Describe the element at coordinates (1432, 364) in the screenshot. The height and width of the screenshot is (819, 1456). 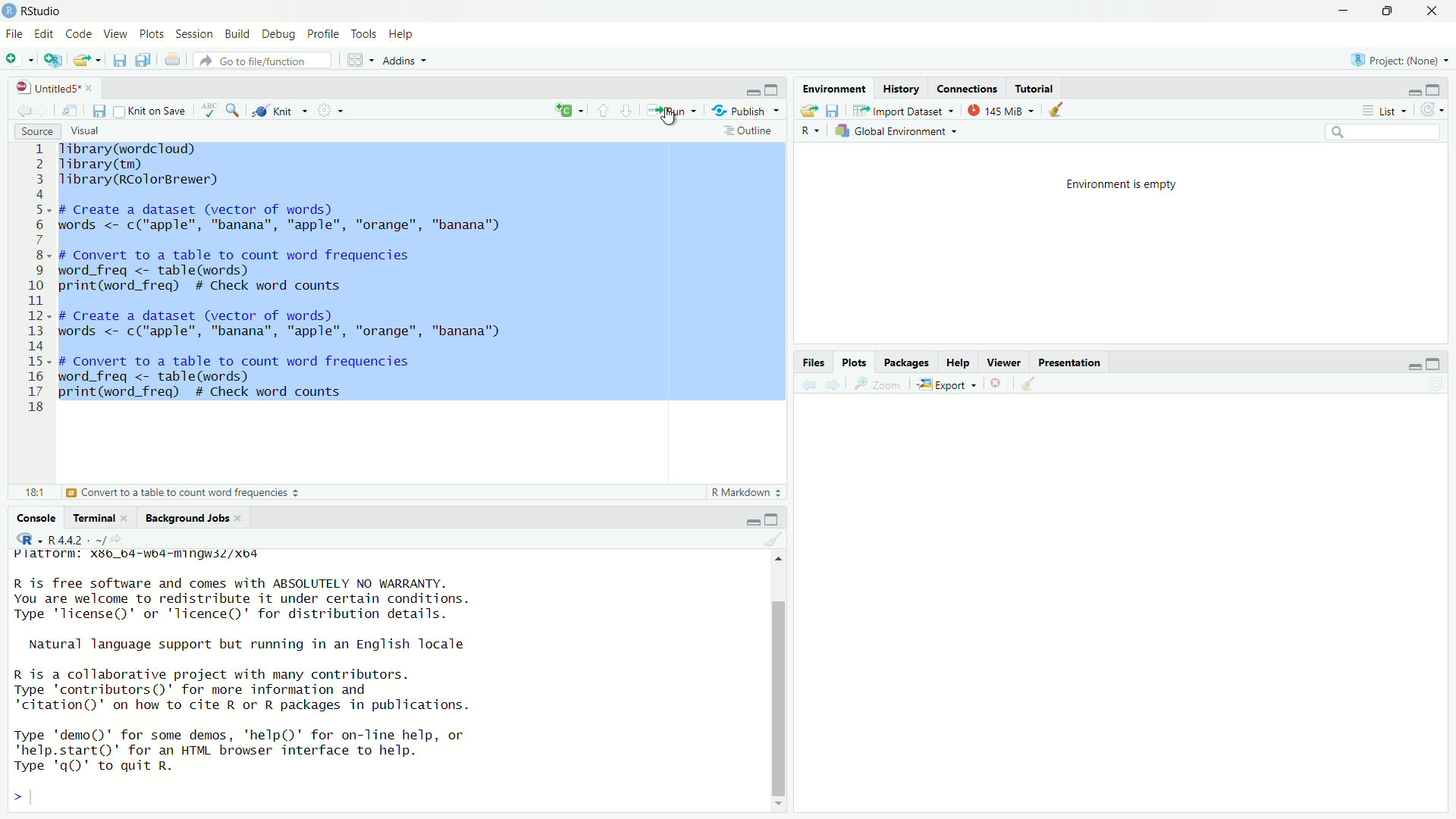
I see `Maximize` at that location.